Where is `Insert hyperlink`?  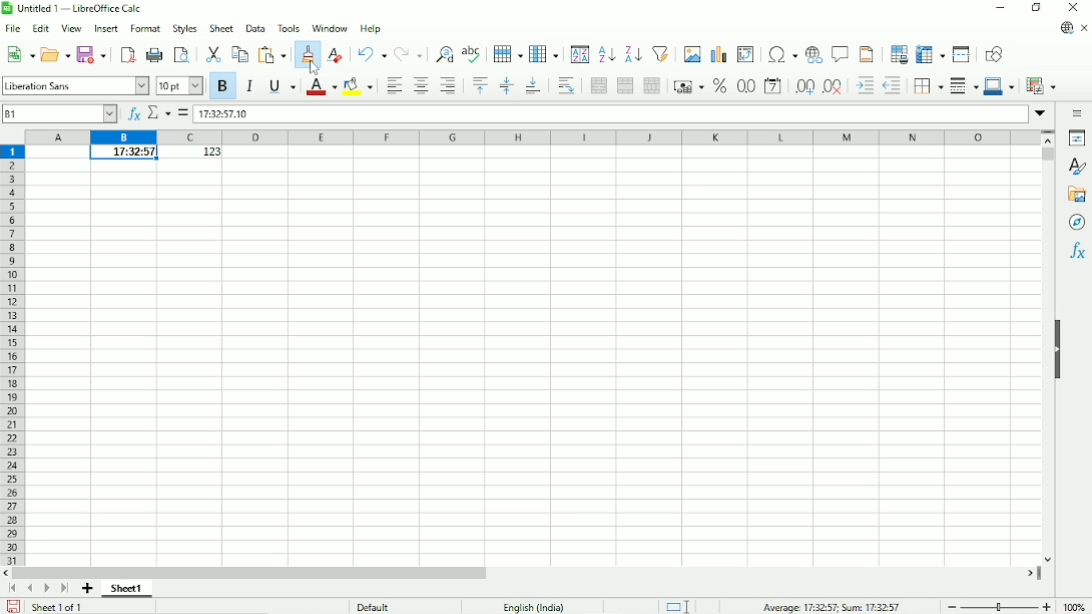 Insert hyperlink is located at coordinates (814, 55).